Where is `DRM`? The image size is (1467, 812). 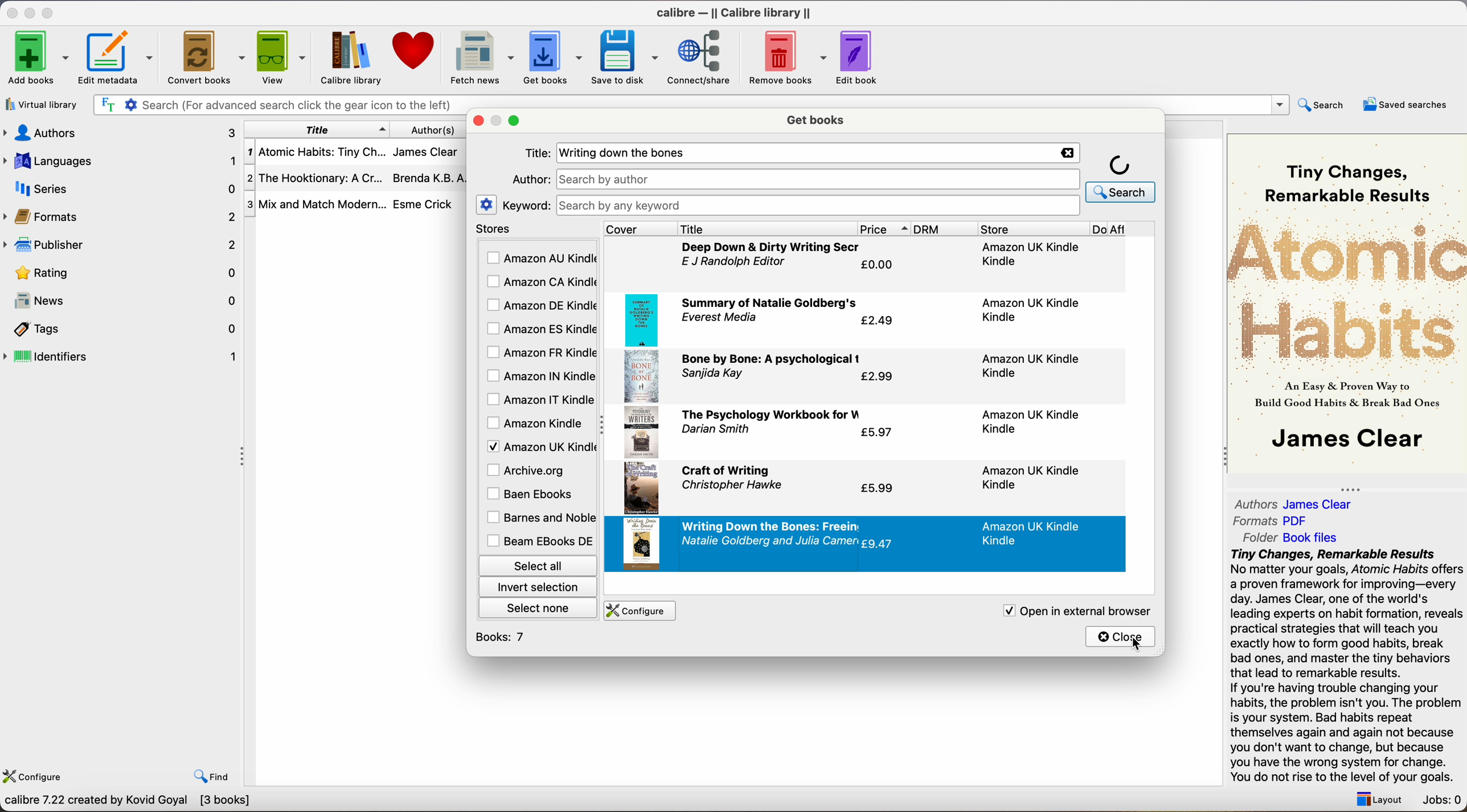 DRM is located at coordinates (946, 229).